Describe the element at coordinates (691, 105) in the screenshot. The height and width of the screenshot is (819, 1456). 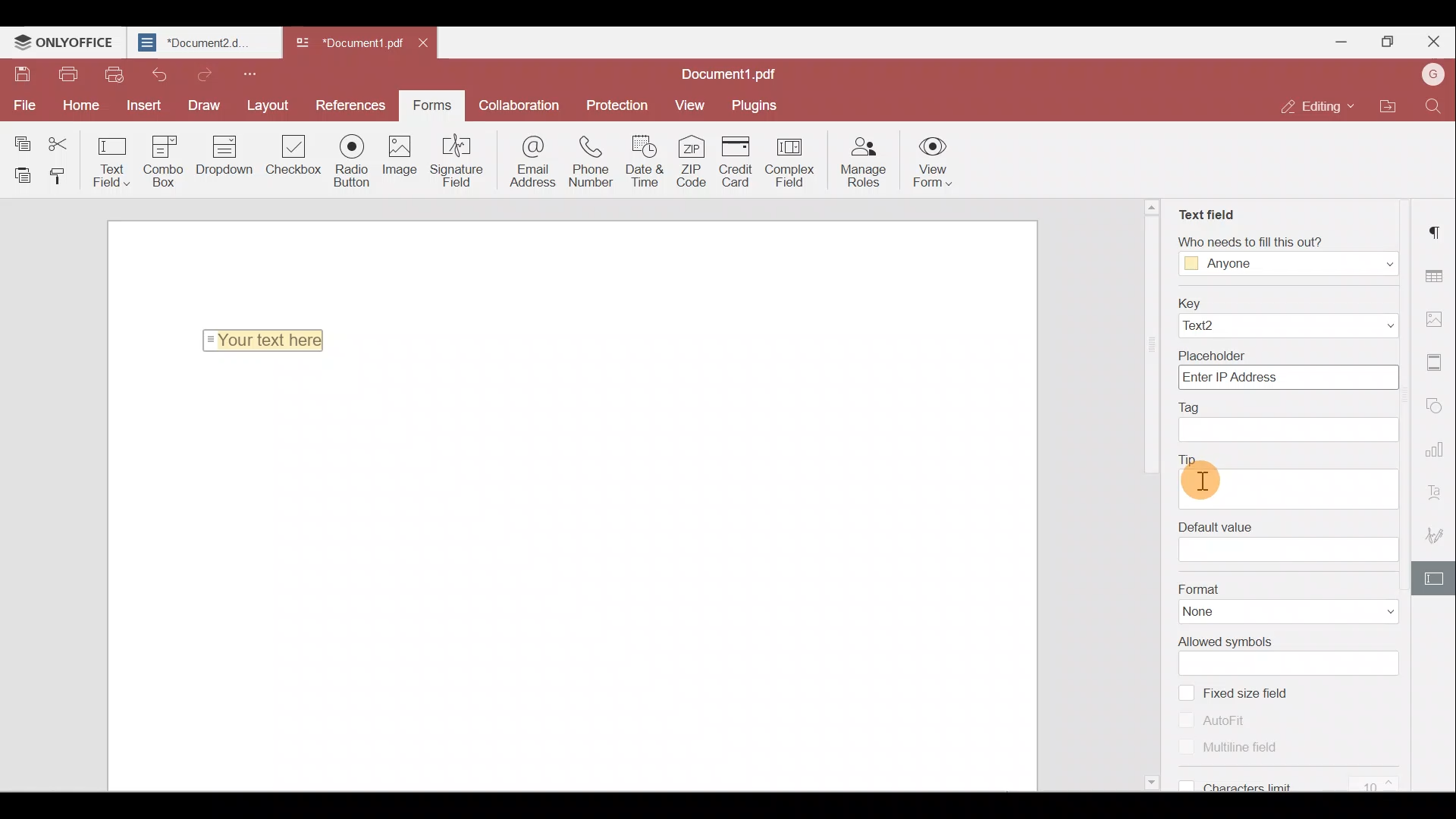
I see `View` at that location.